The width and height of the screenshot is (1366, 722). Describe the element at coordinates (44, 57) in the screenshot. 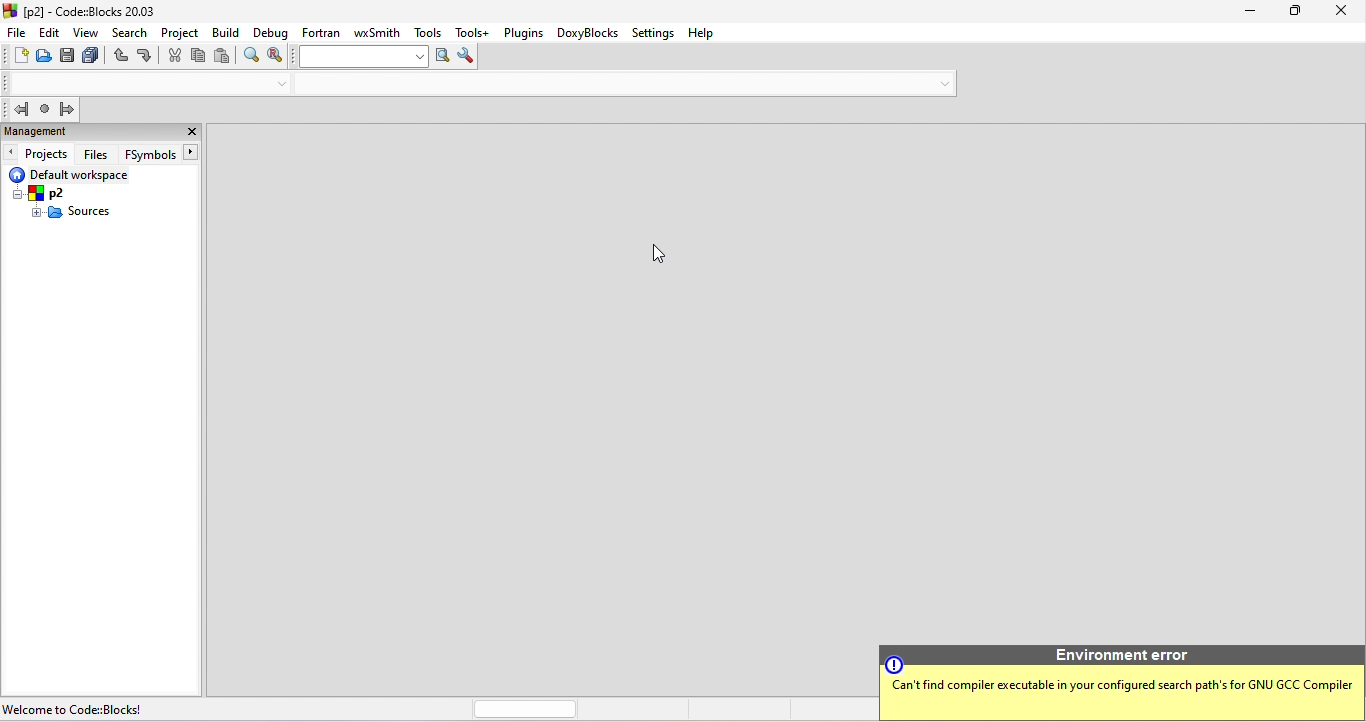

I see `open` at that location.